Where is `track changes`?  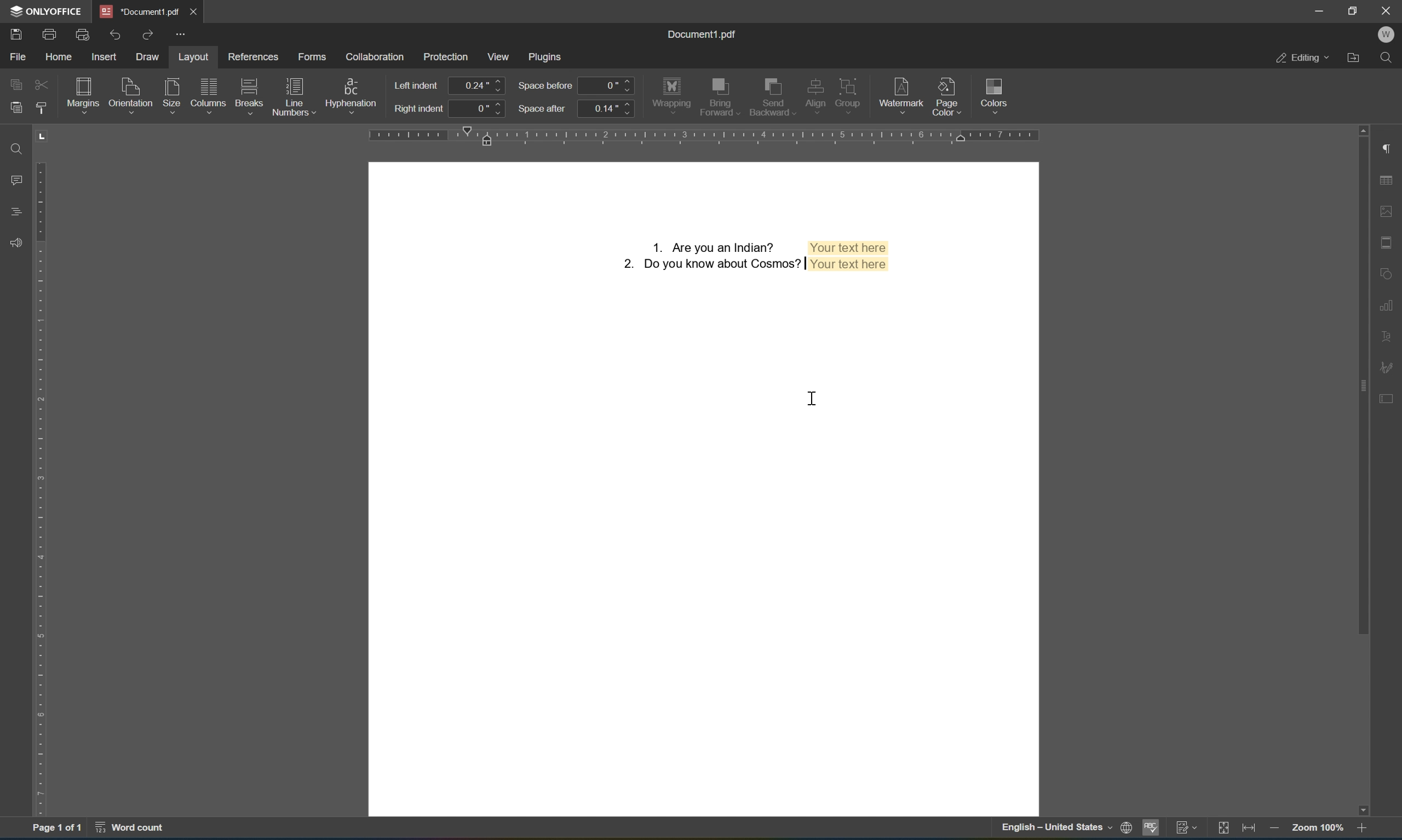 track changes is located at coordinates (1187, 830).